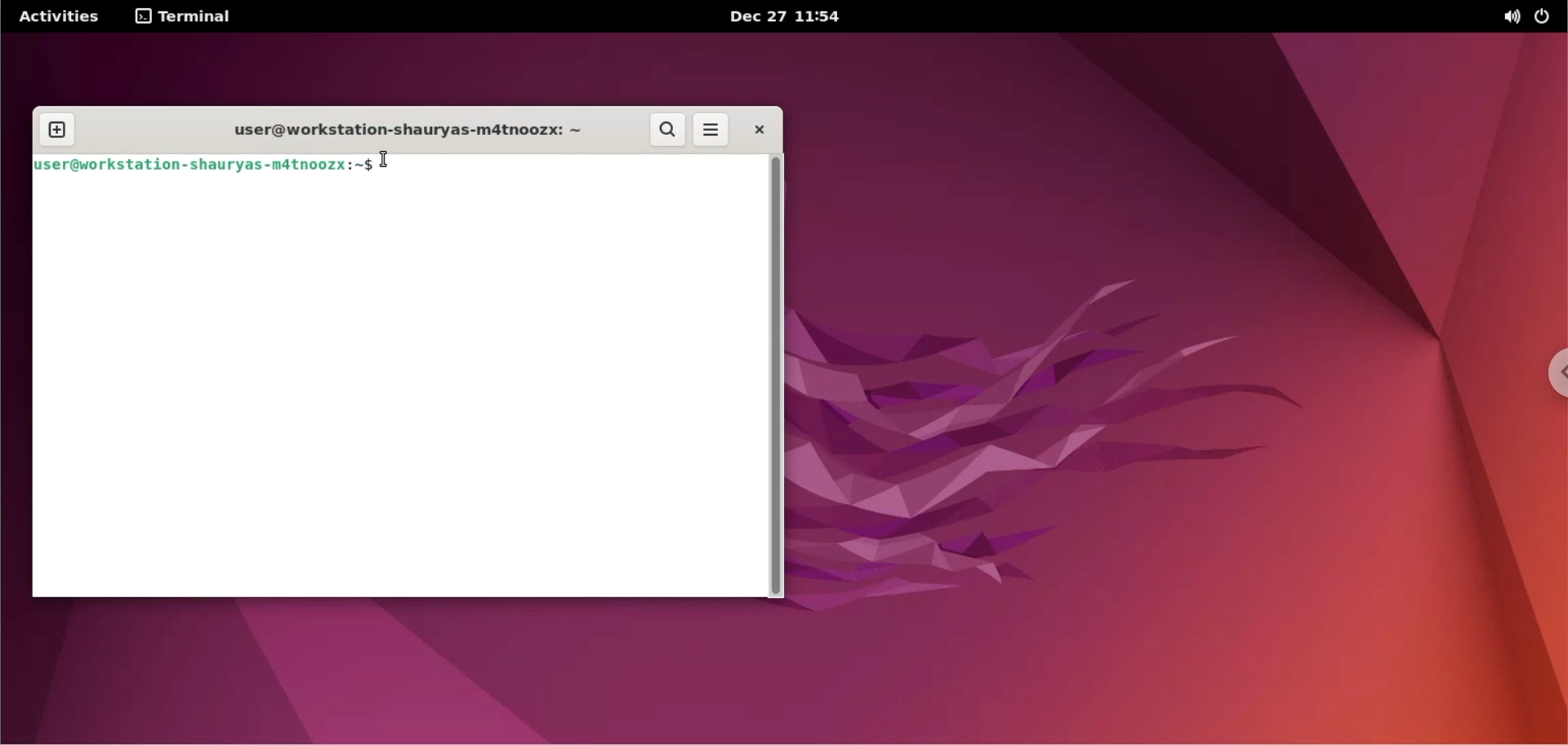 Image resolution: width=1568 pixels, height=745 pixels. I want to click on menu options, so click(712, 129).